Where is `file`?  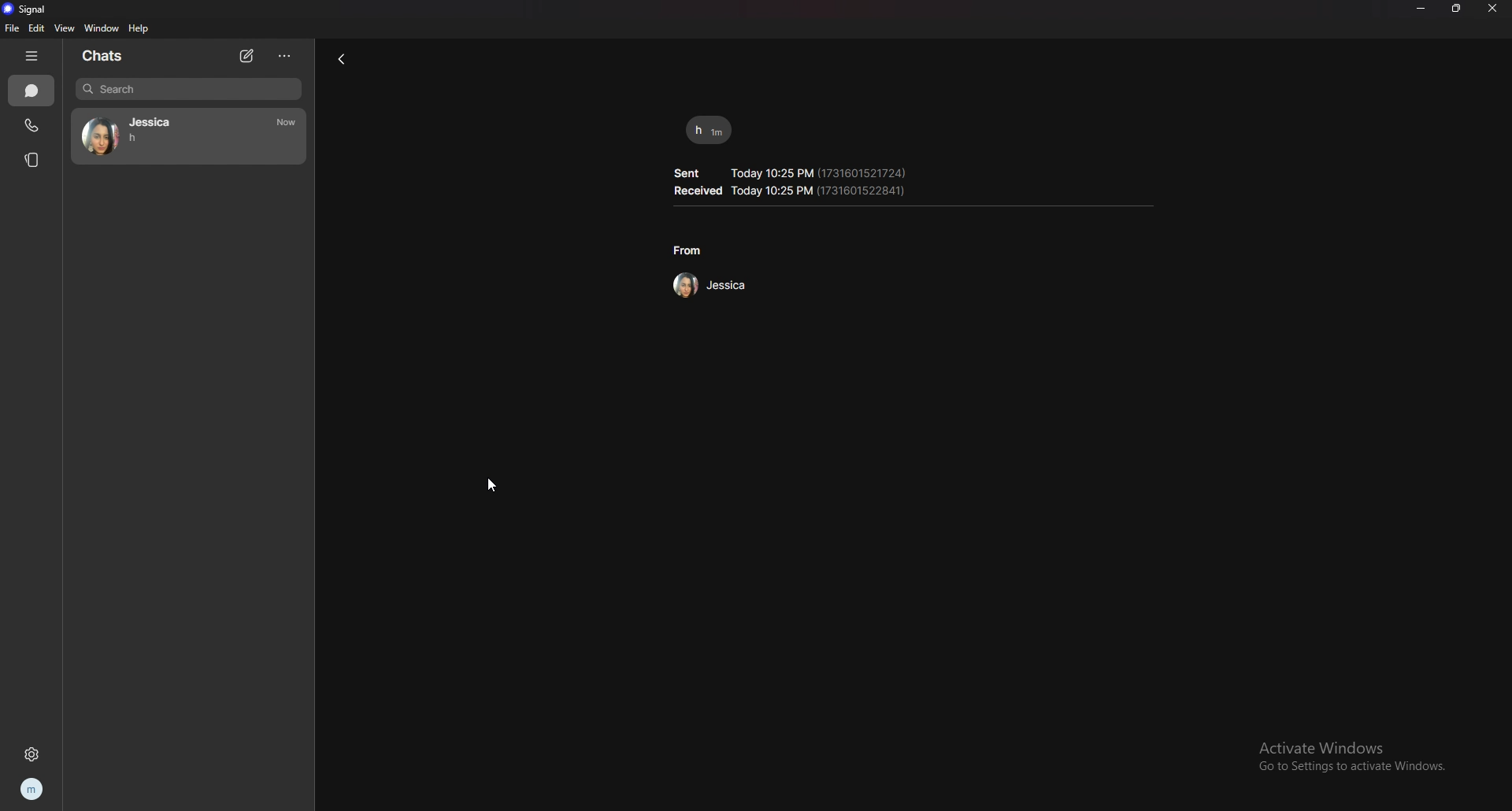
file is located at coordinates (13, 28).